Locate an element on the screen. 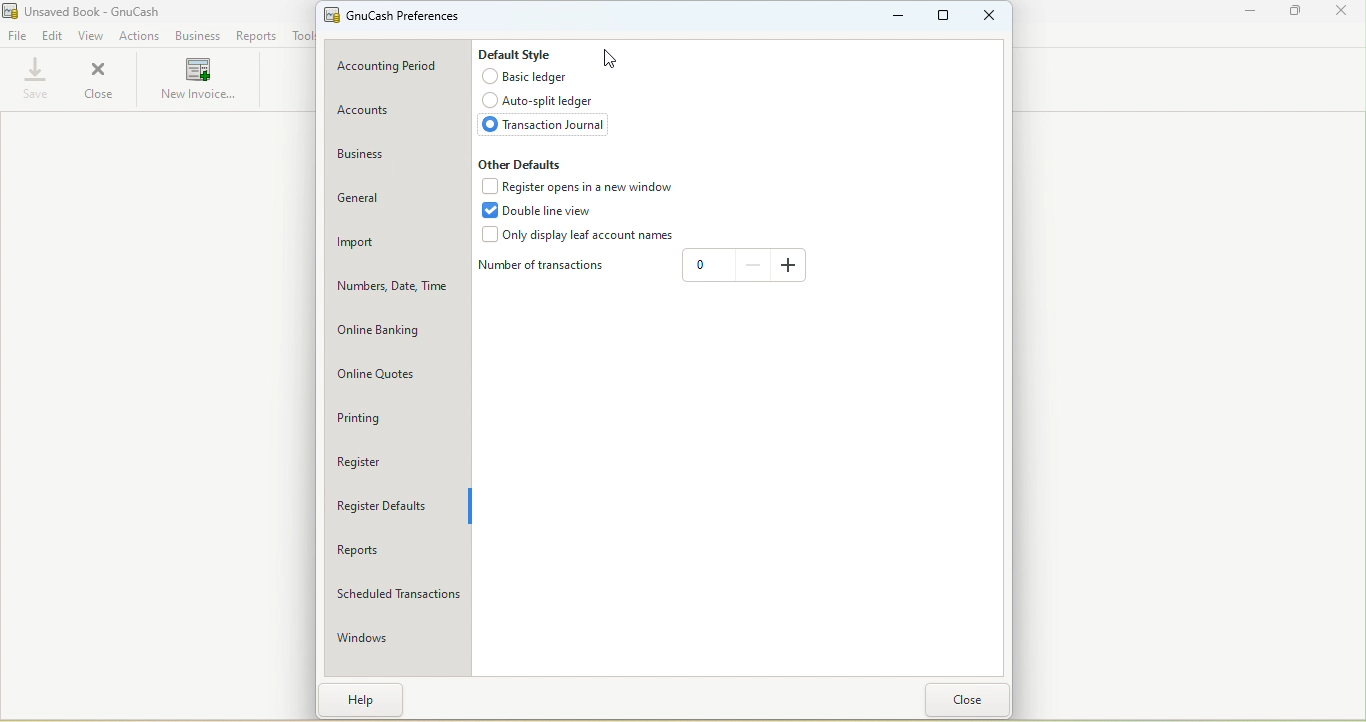 This screenshot has width=1366, height=722. Double line view is located at coordinates (540, 211).